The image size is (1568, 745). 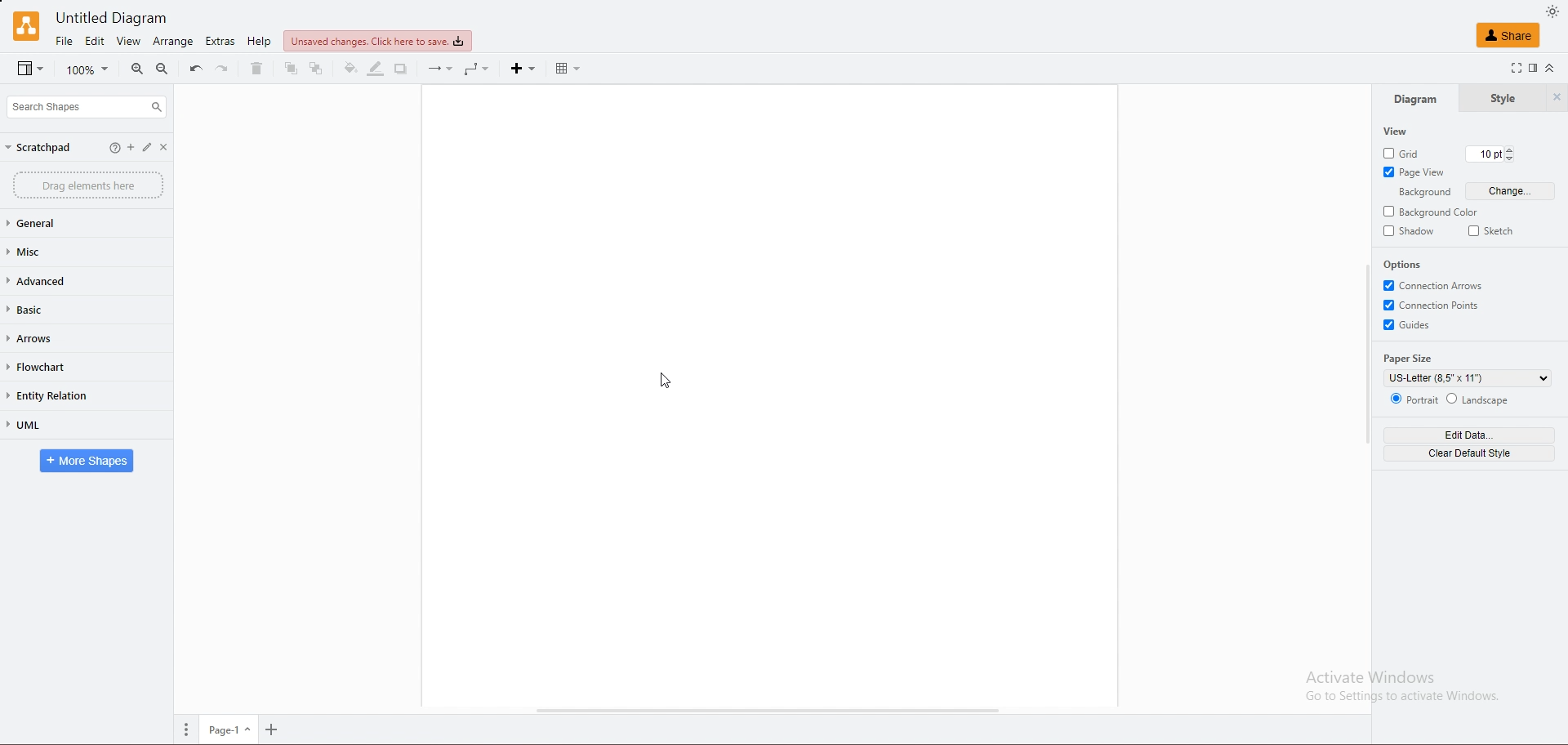 I want to click on undo, so click(x=196, y=69).